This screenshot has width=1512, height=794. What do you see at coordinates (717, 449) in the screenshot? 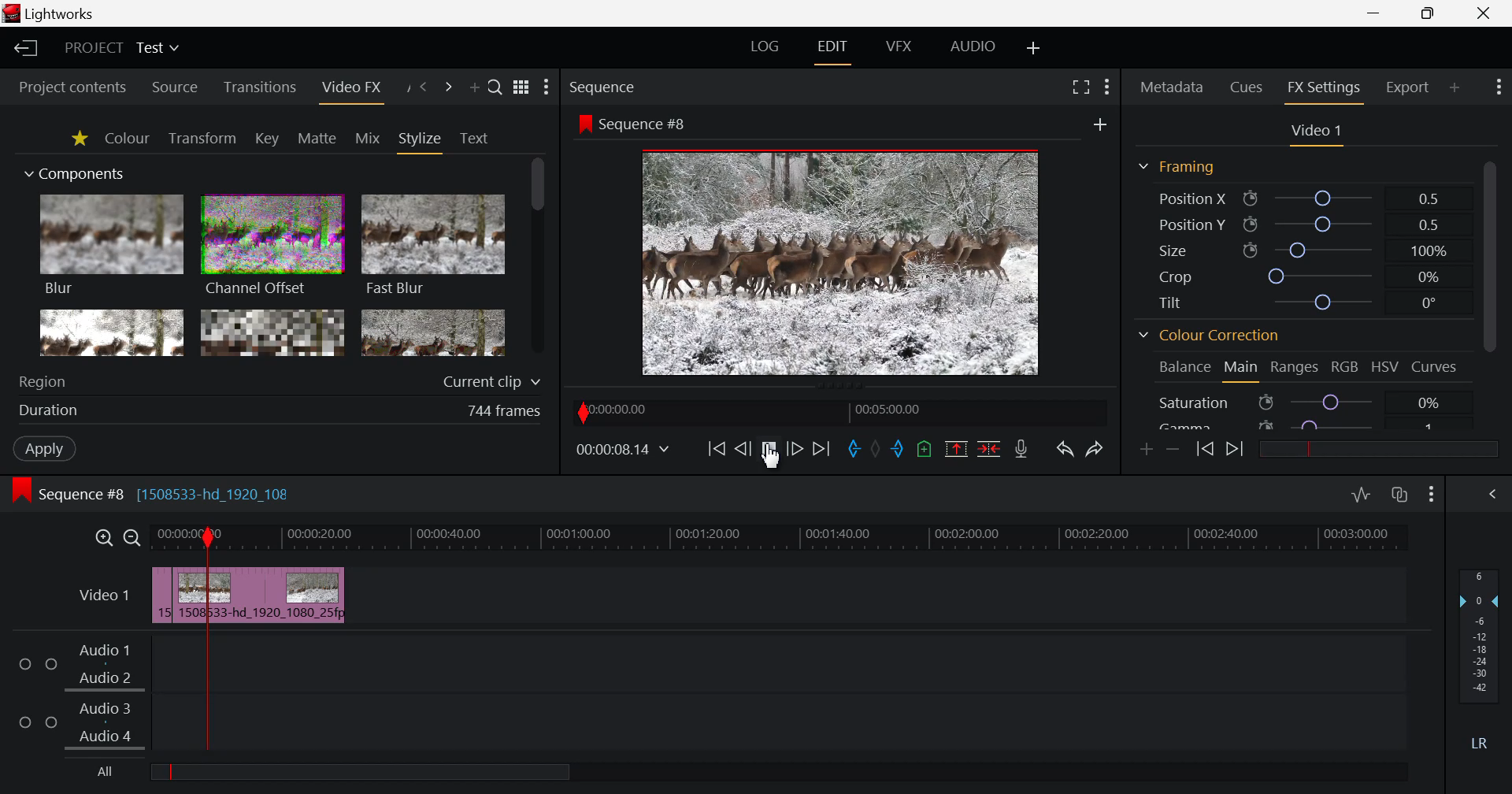
I see `To Start` at bounding box center [717, 449].